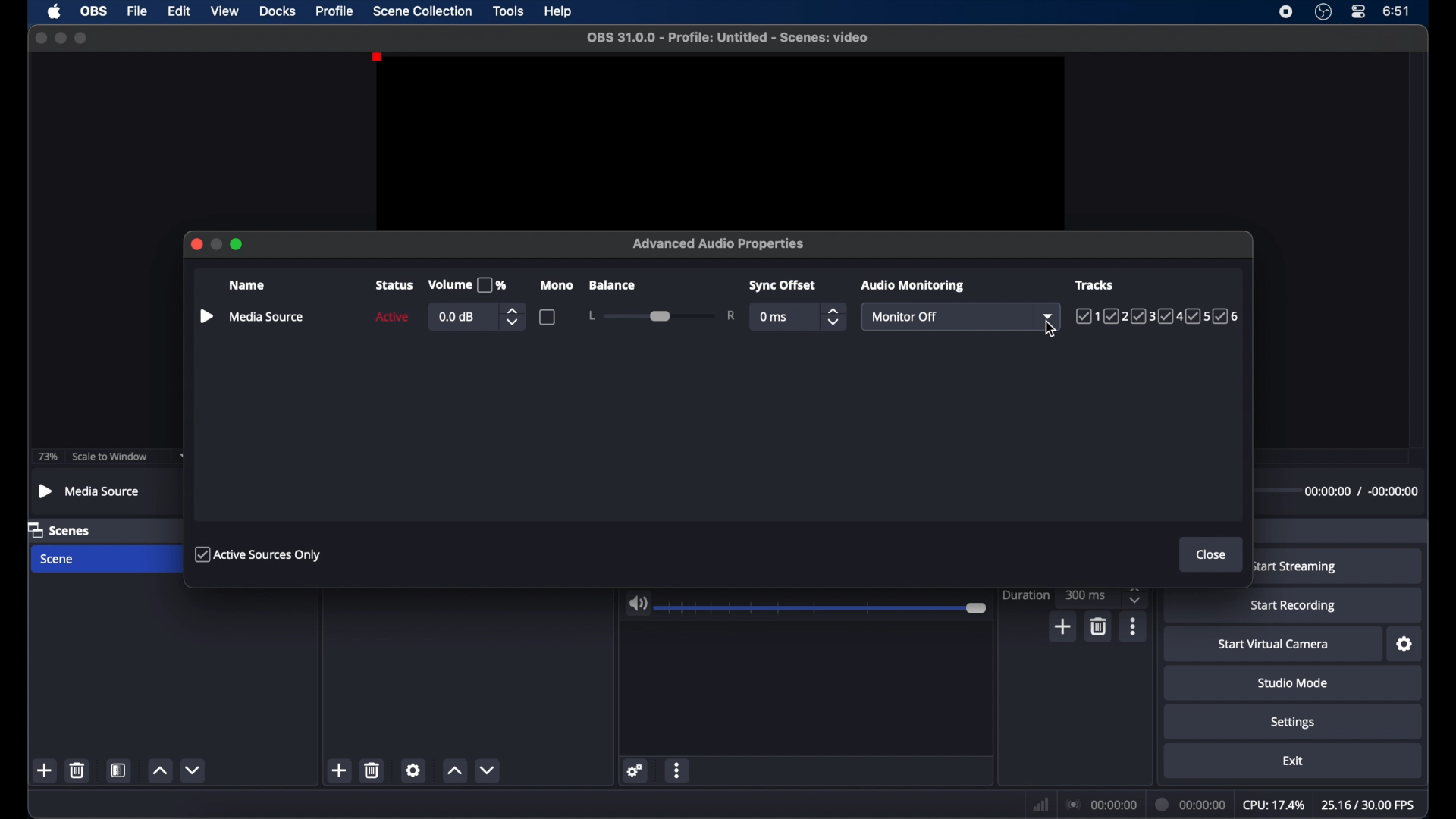  Describe the element at coordinates (1294, 723) in the screenshot. I see `settings` at that location.